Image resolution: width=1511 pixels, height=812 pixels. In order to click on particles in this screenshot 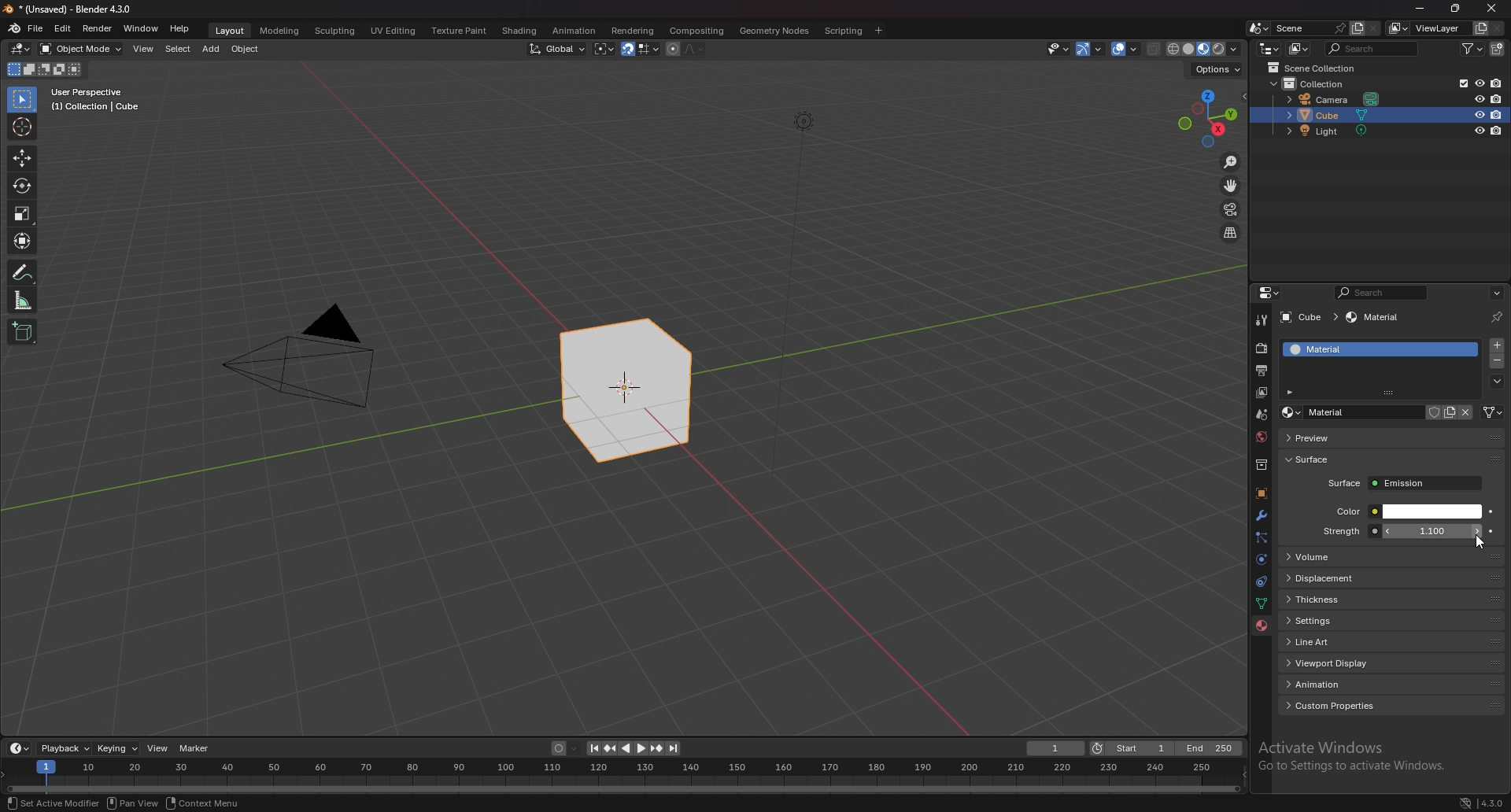, I will do `click(1262, 537)`.